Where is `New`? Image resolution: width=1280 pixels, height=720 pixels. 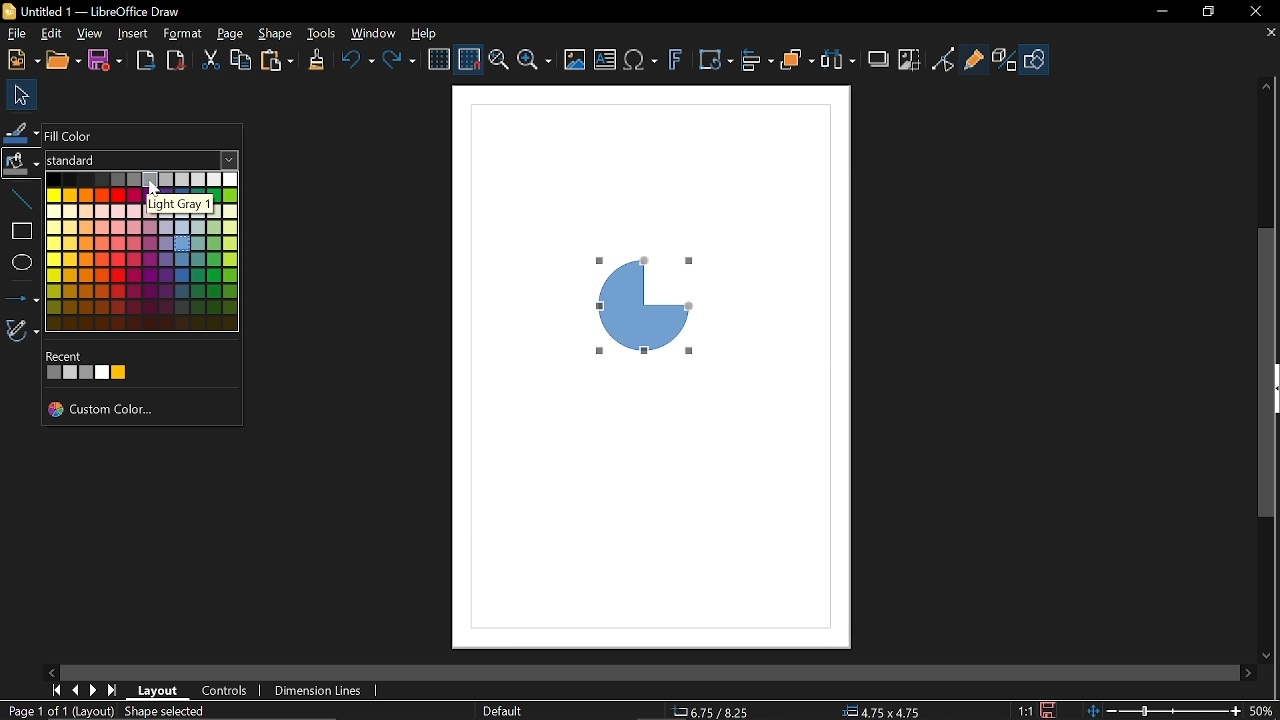
New is located at coordinates (21, 60).